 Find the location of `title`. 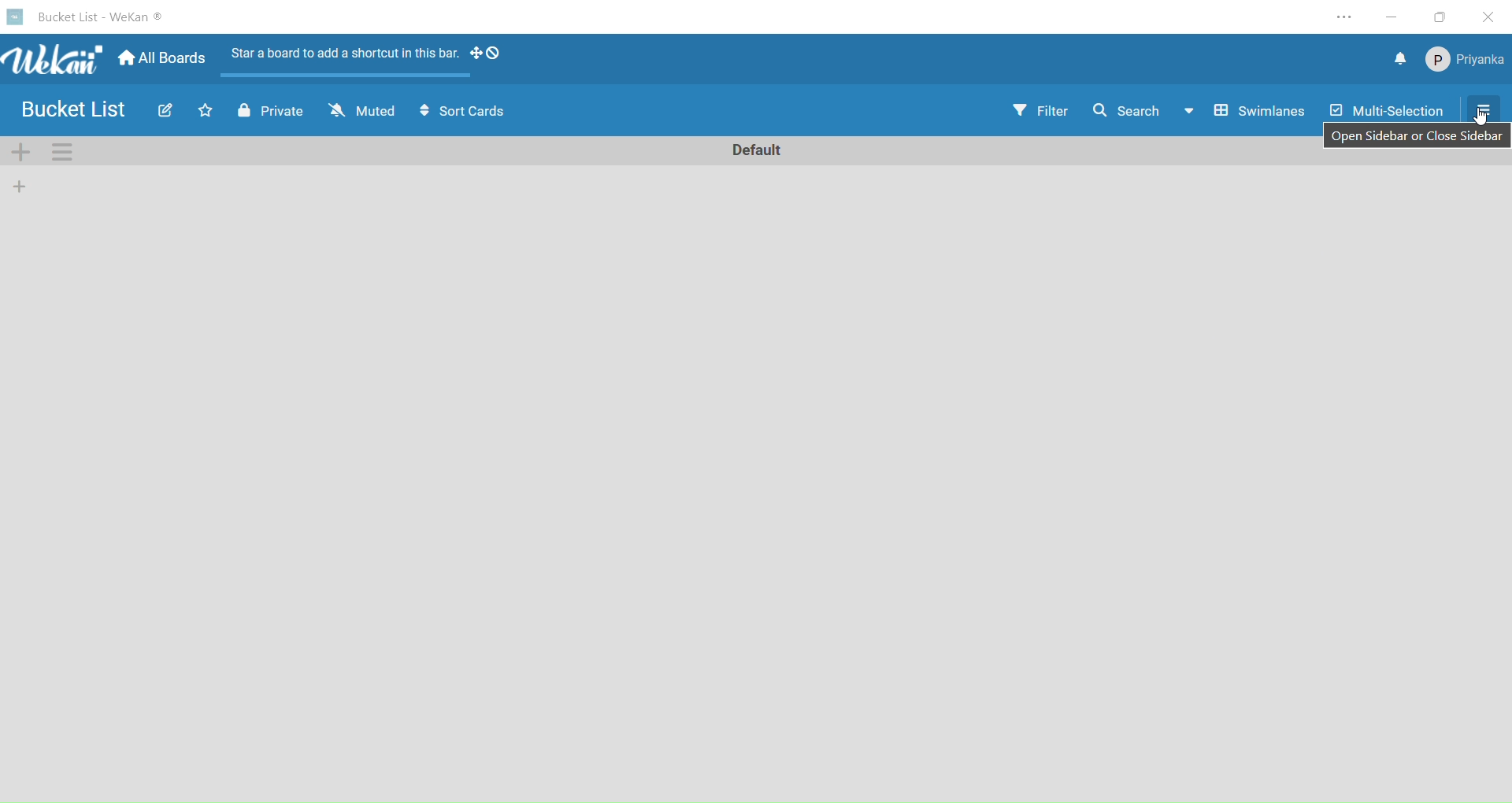

title is located at coordinates (58, 60).